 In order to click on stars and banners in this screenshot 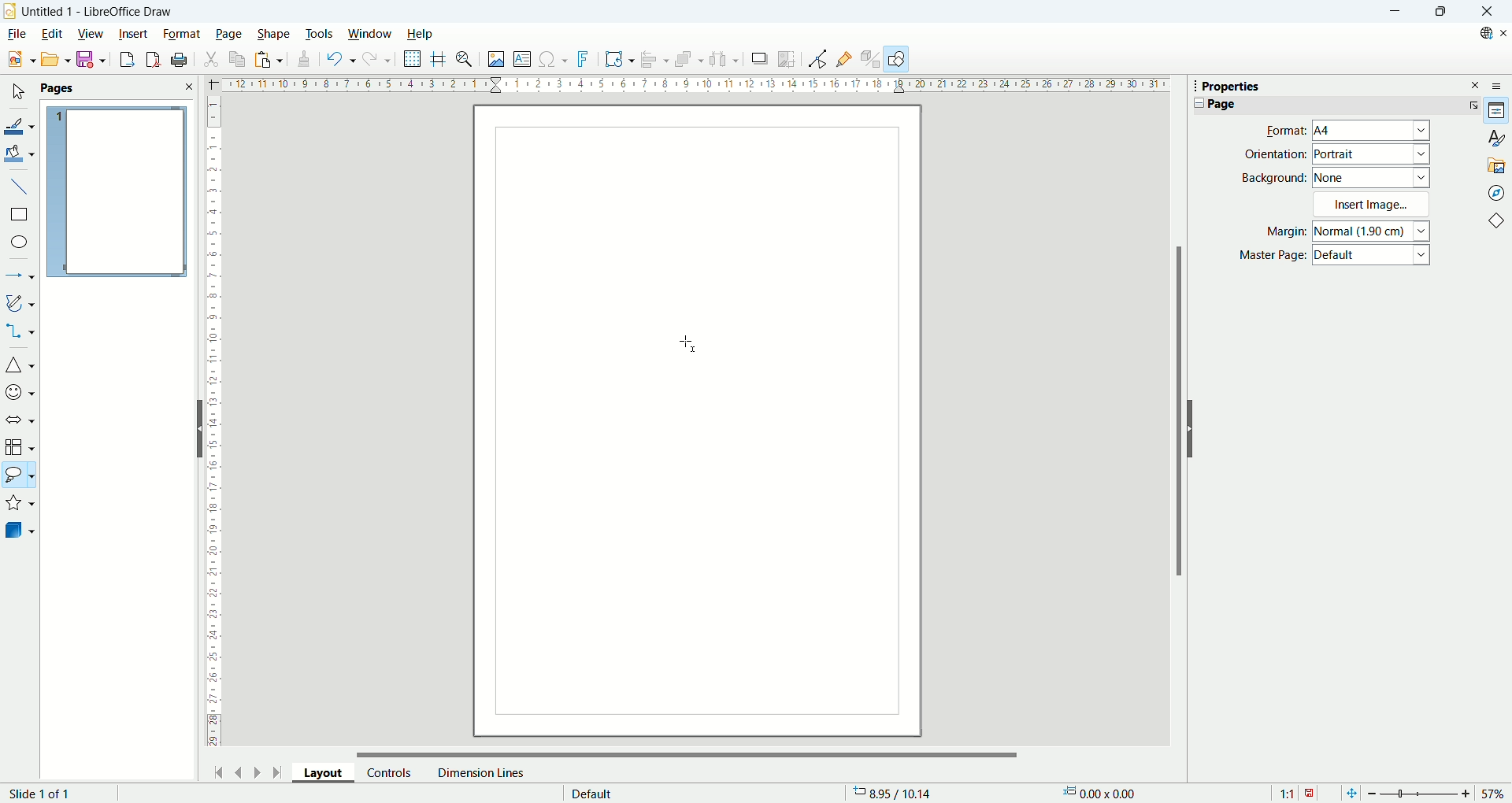, I will do `click(20, 505)`.